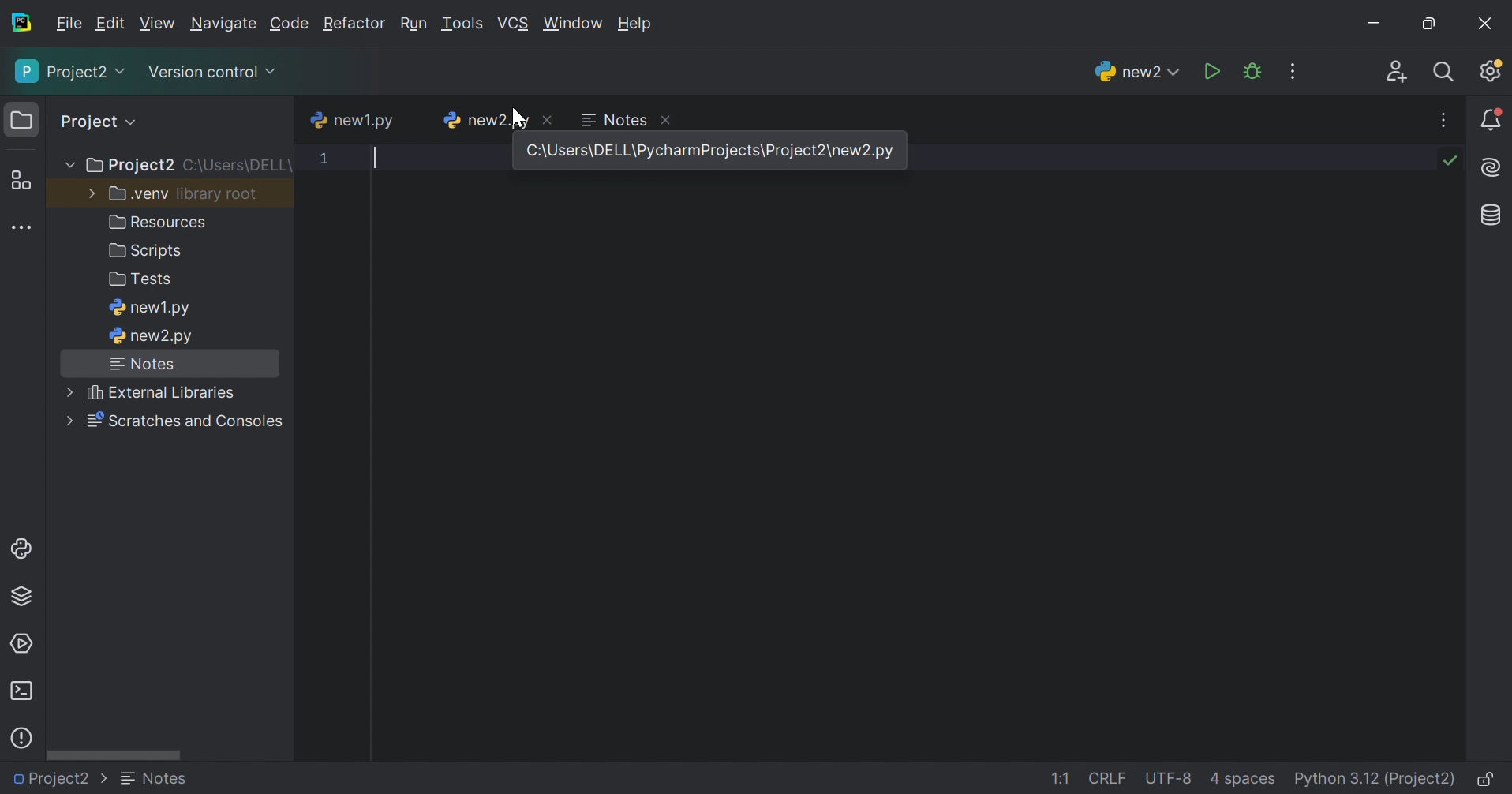 Image resolution: width=1512 pixels, height=794 pixels. I want to click on Code with me, so click(1398, 72).